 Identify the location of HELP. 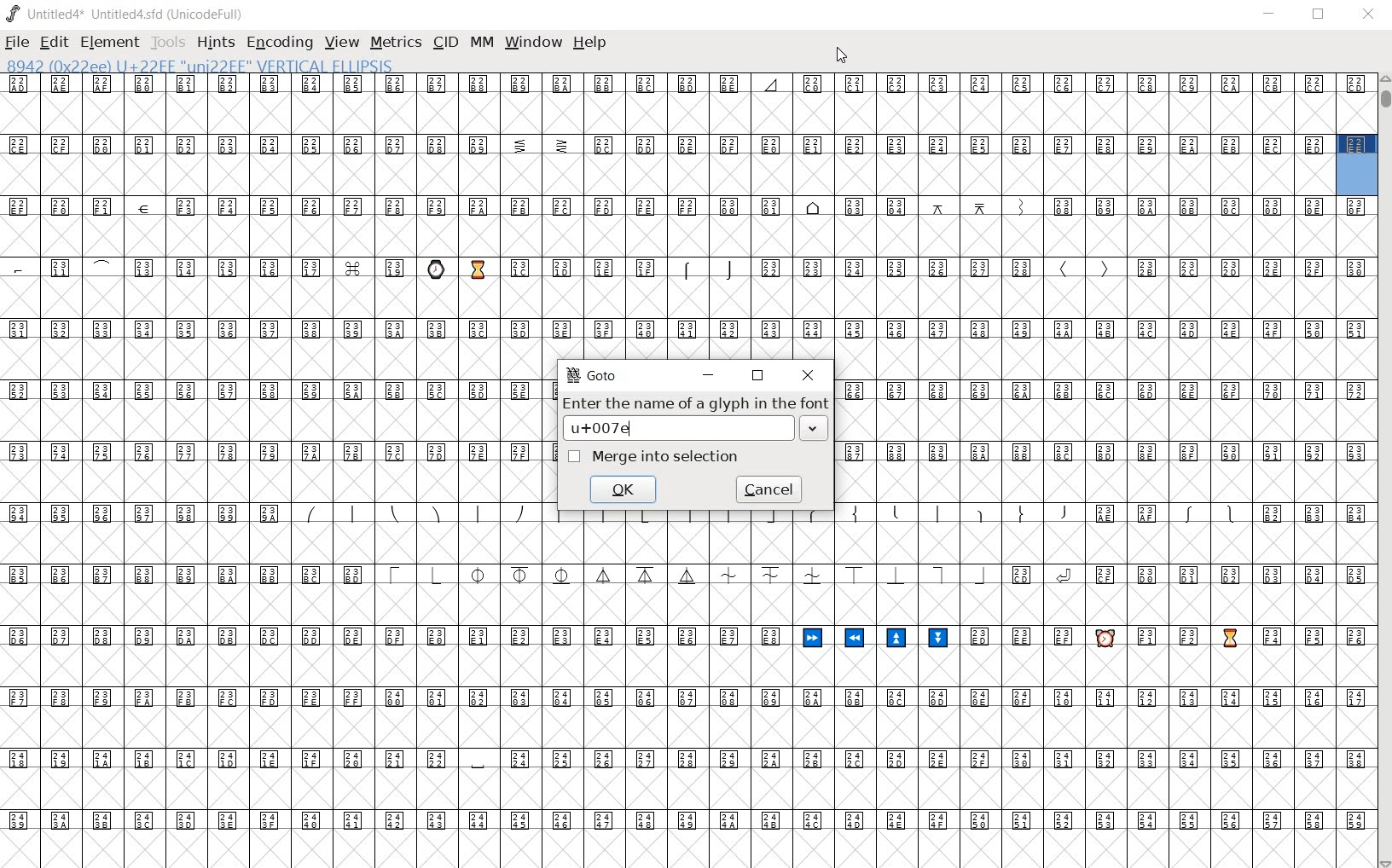
(589, 43).